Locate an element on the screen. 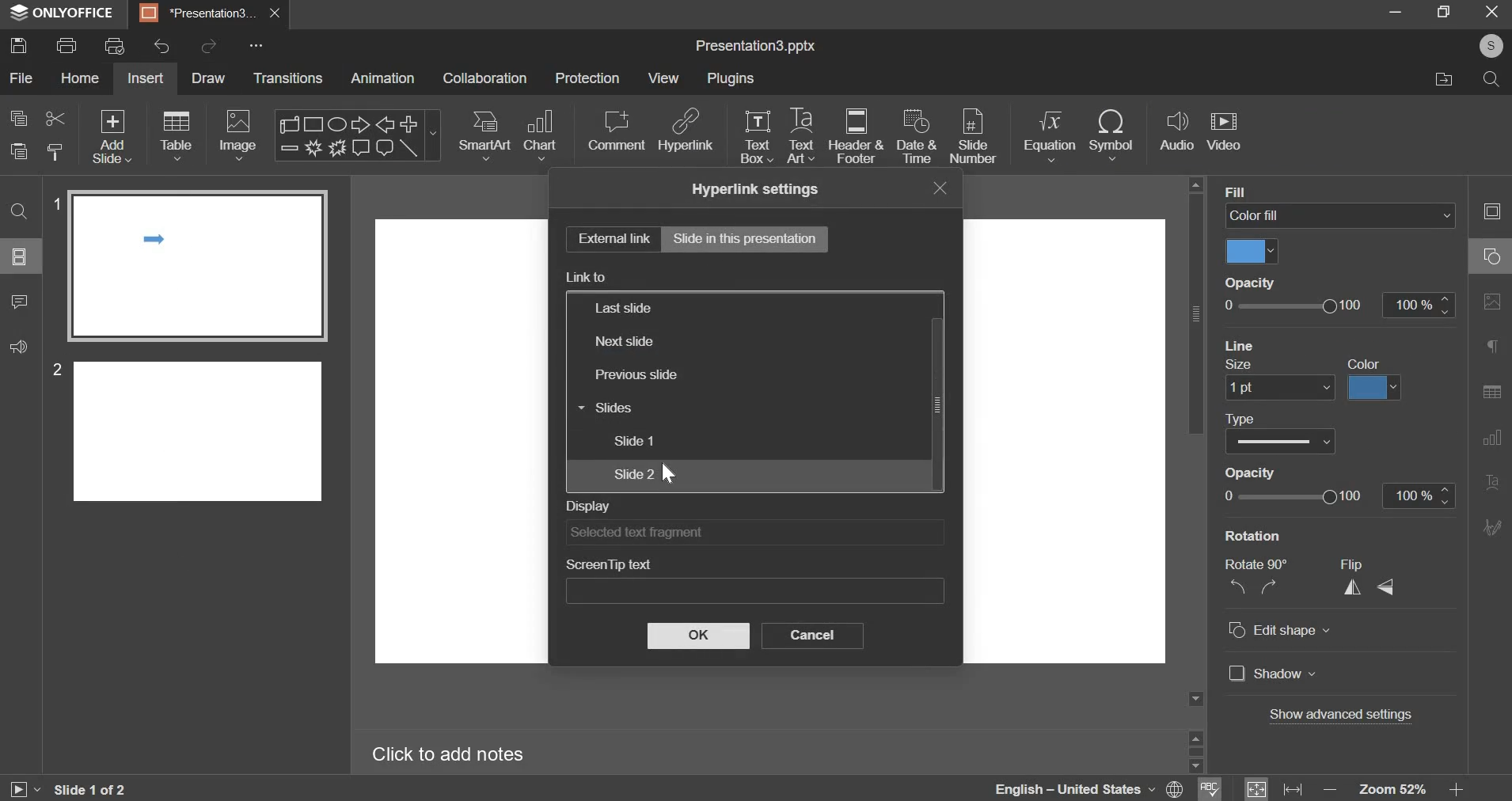 Image resolution: width=1512 pixels, height=801 pixels. ellipse is located at coordinates (336, 123).